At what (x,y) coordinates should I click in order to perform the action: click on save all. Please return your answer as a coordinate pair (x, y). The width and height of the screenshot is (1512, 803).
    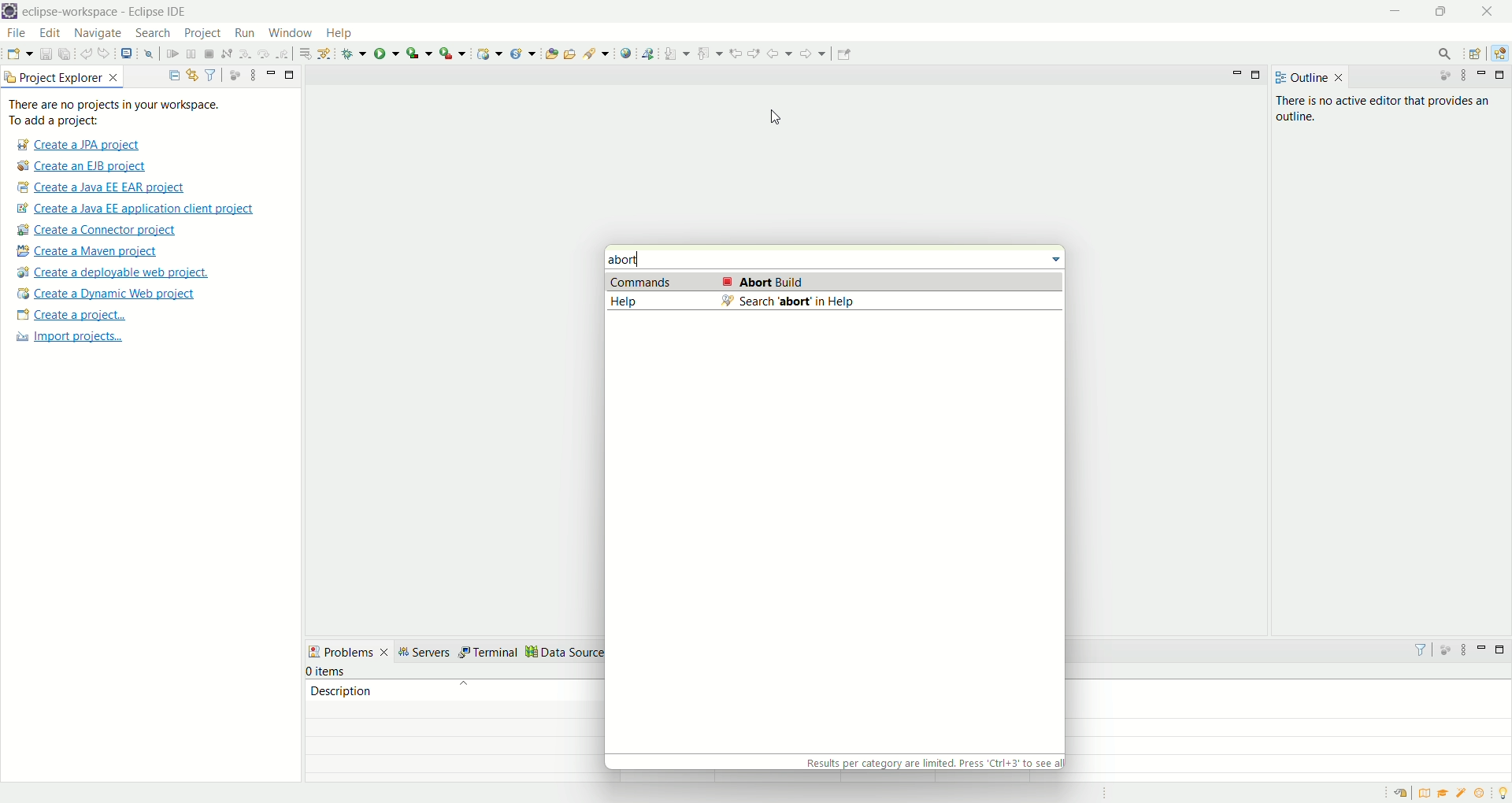
    Looking at the image, I should click on (63, 54).